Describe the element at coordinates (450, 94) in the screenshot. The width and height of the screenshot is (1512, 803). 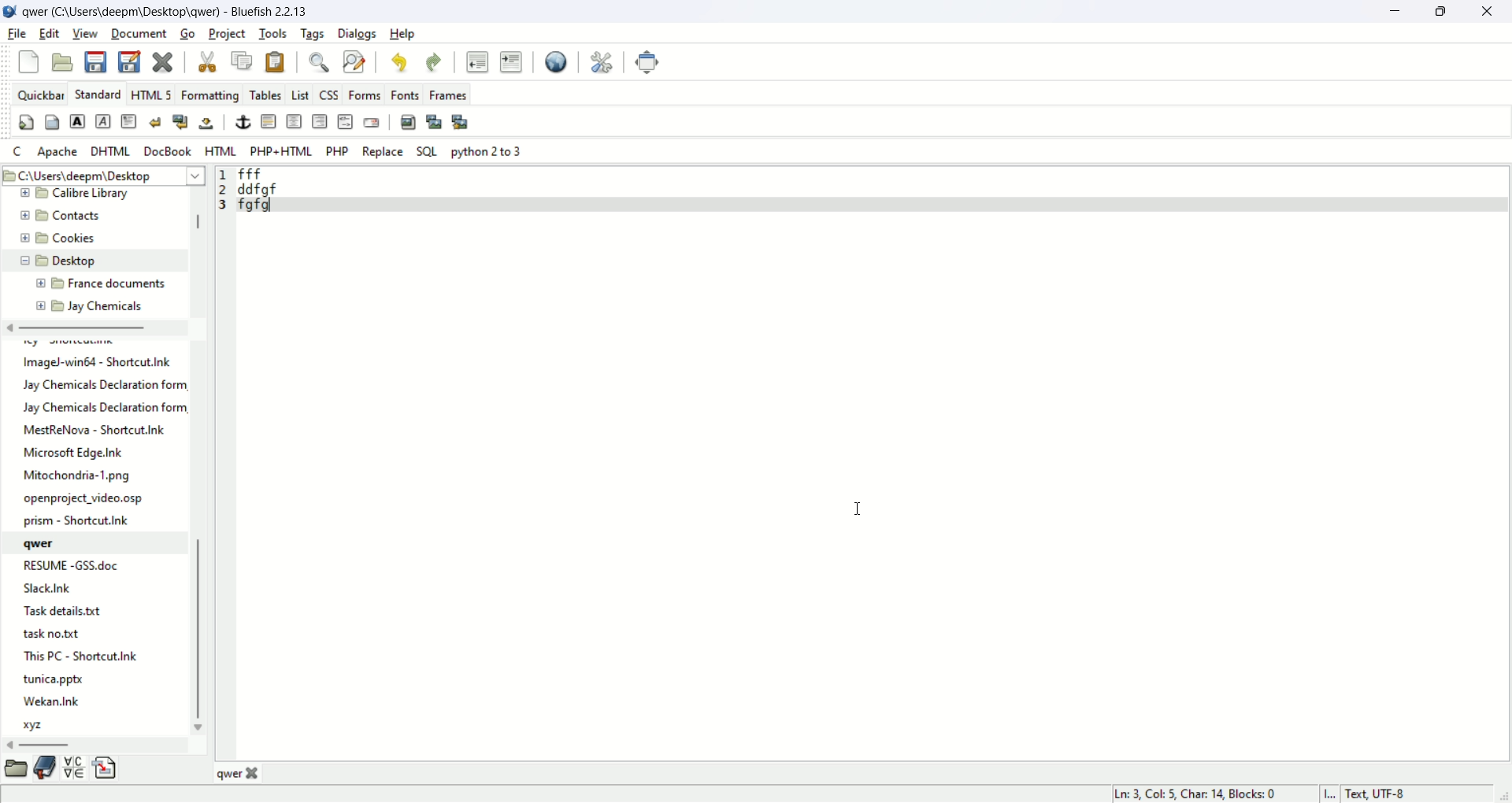
I see `frames` at that location.